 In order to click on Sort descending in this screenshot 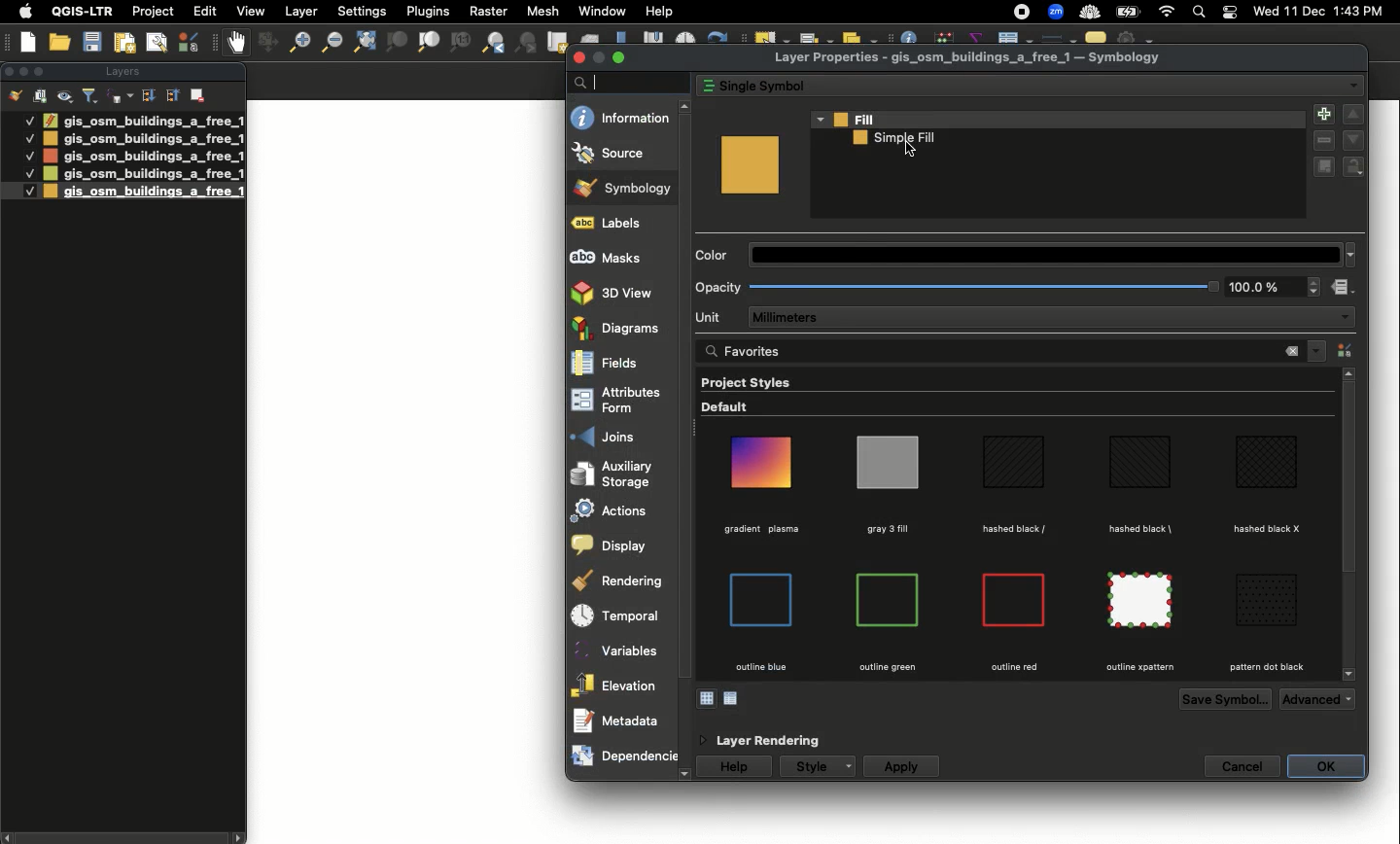, I will do `click(148, 96)`.